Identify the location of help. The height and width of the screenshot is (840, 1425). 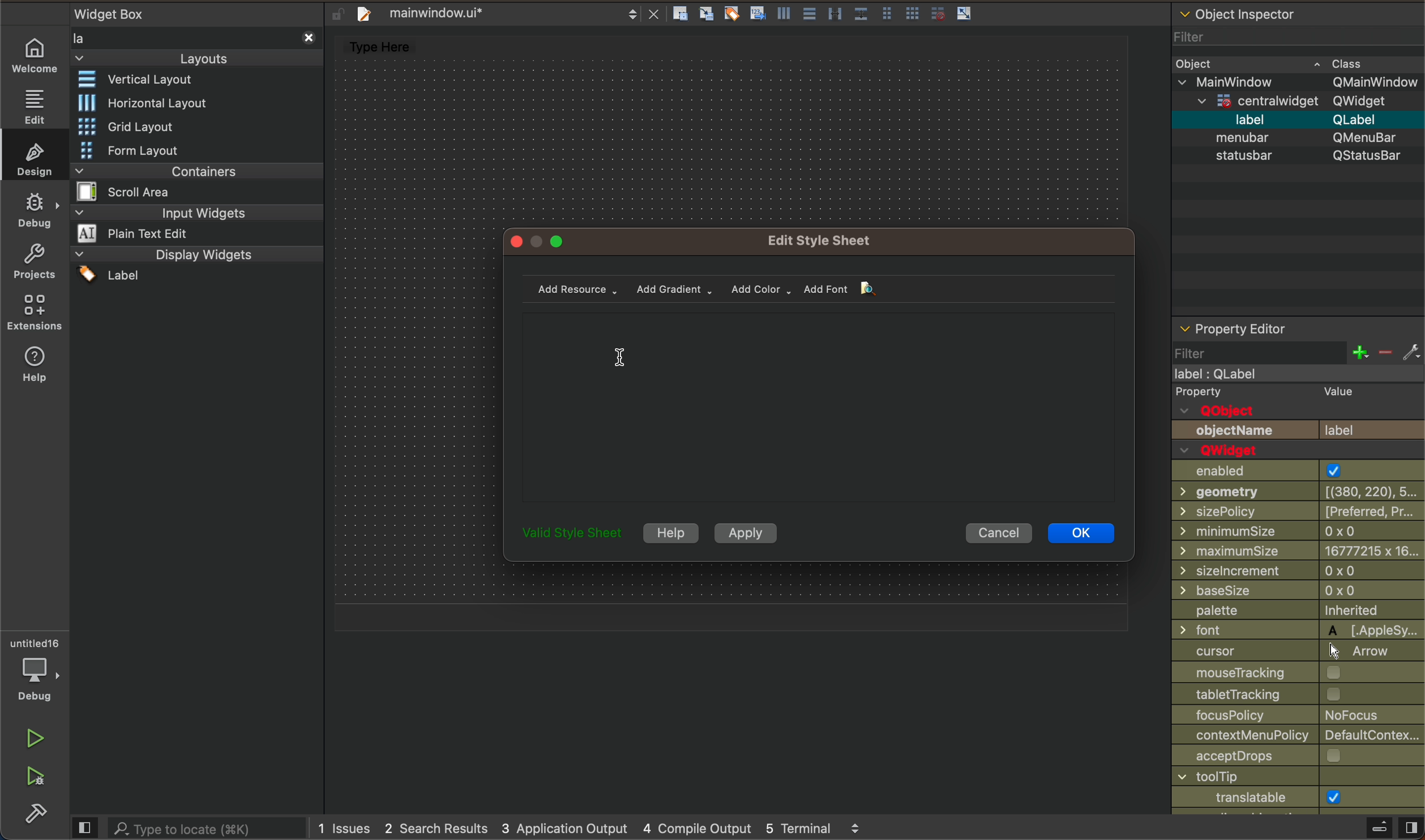
(35, 367).